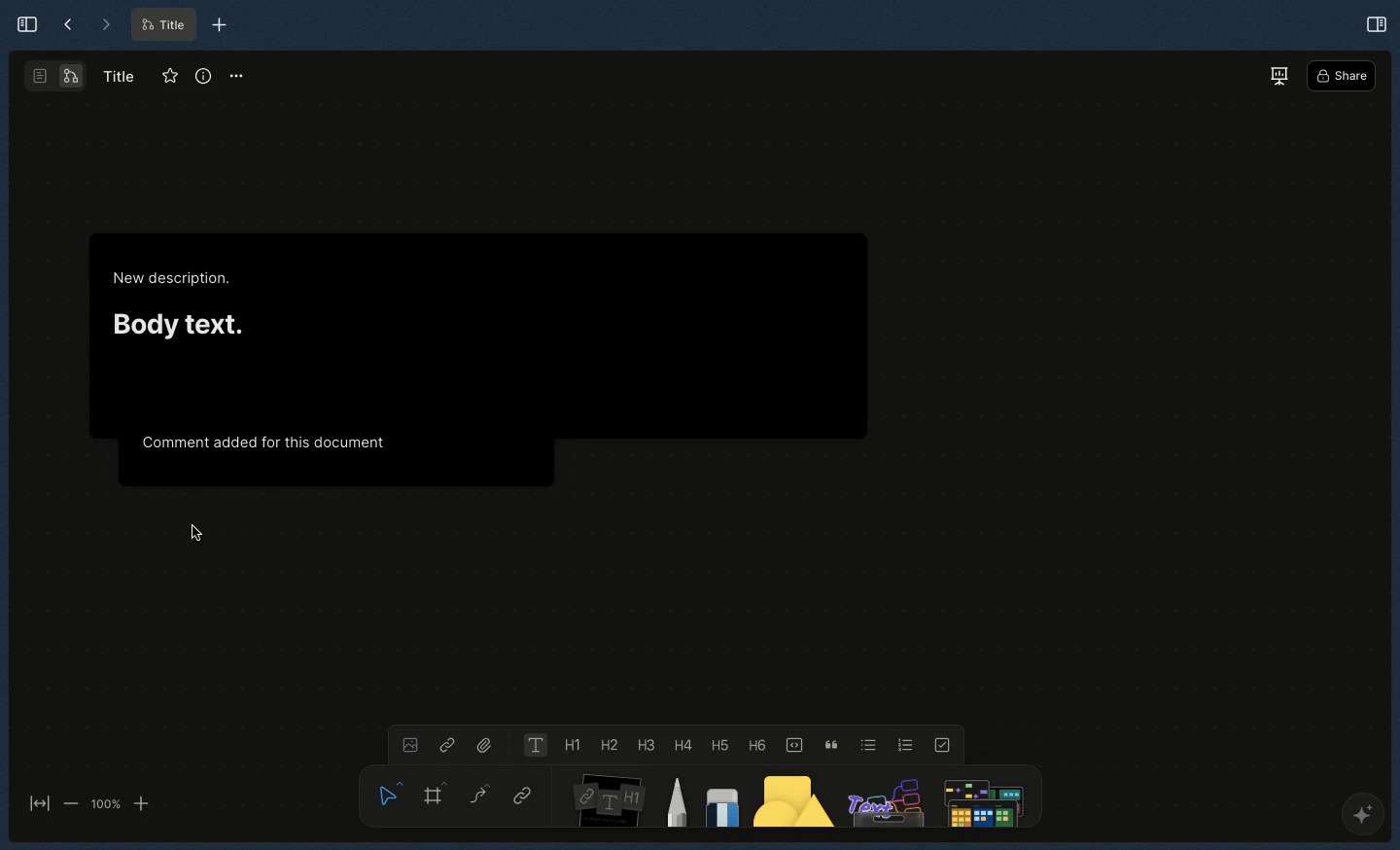 The image size is (1400, 850). I want to click on Fit to screen, so click(37, 805).